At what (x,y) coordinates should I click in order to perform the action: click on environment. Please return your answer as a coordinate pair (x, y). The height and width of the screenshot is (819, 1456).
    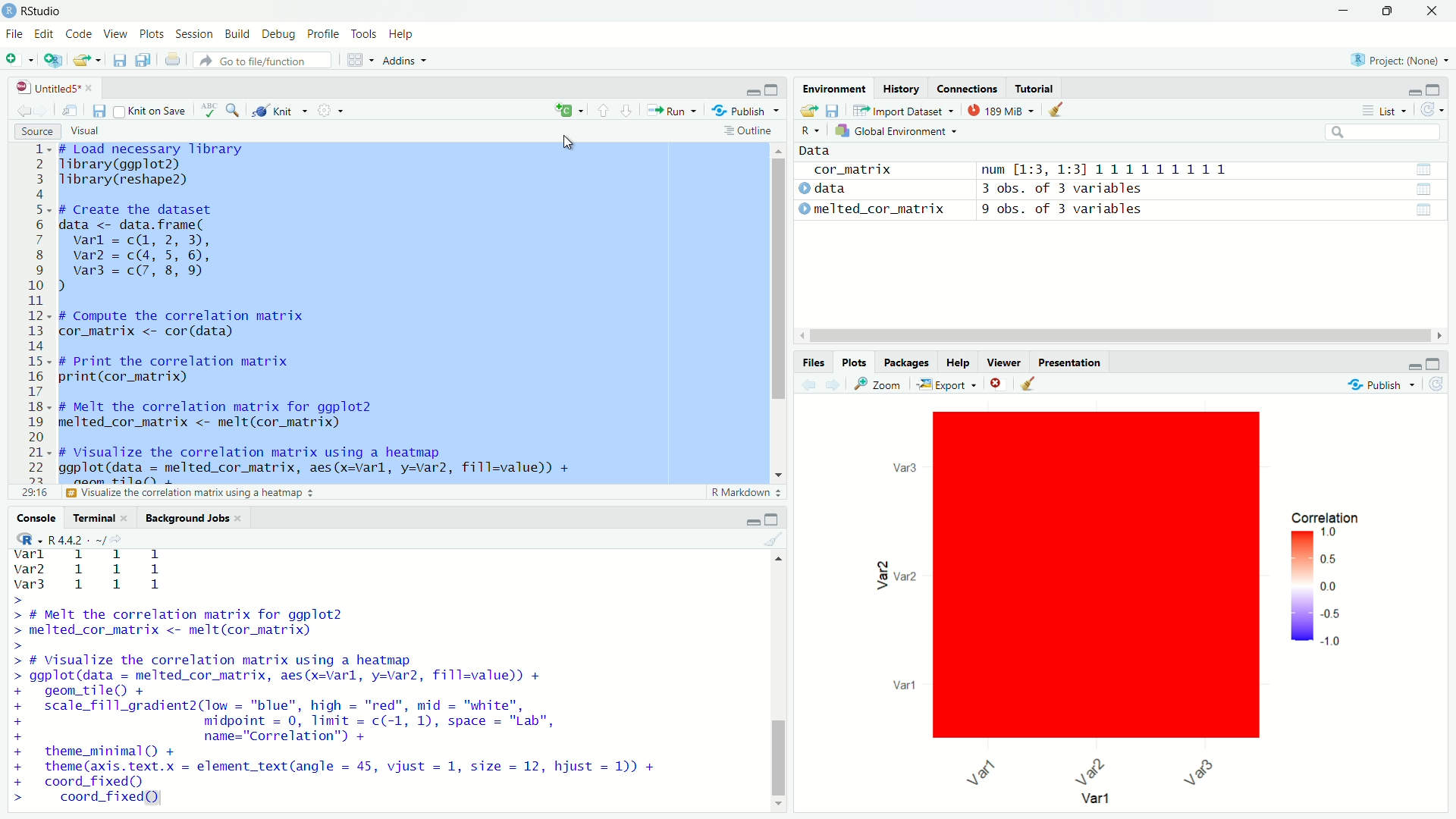
    Looking at the image, I should click on (836, 88).